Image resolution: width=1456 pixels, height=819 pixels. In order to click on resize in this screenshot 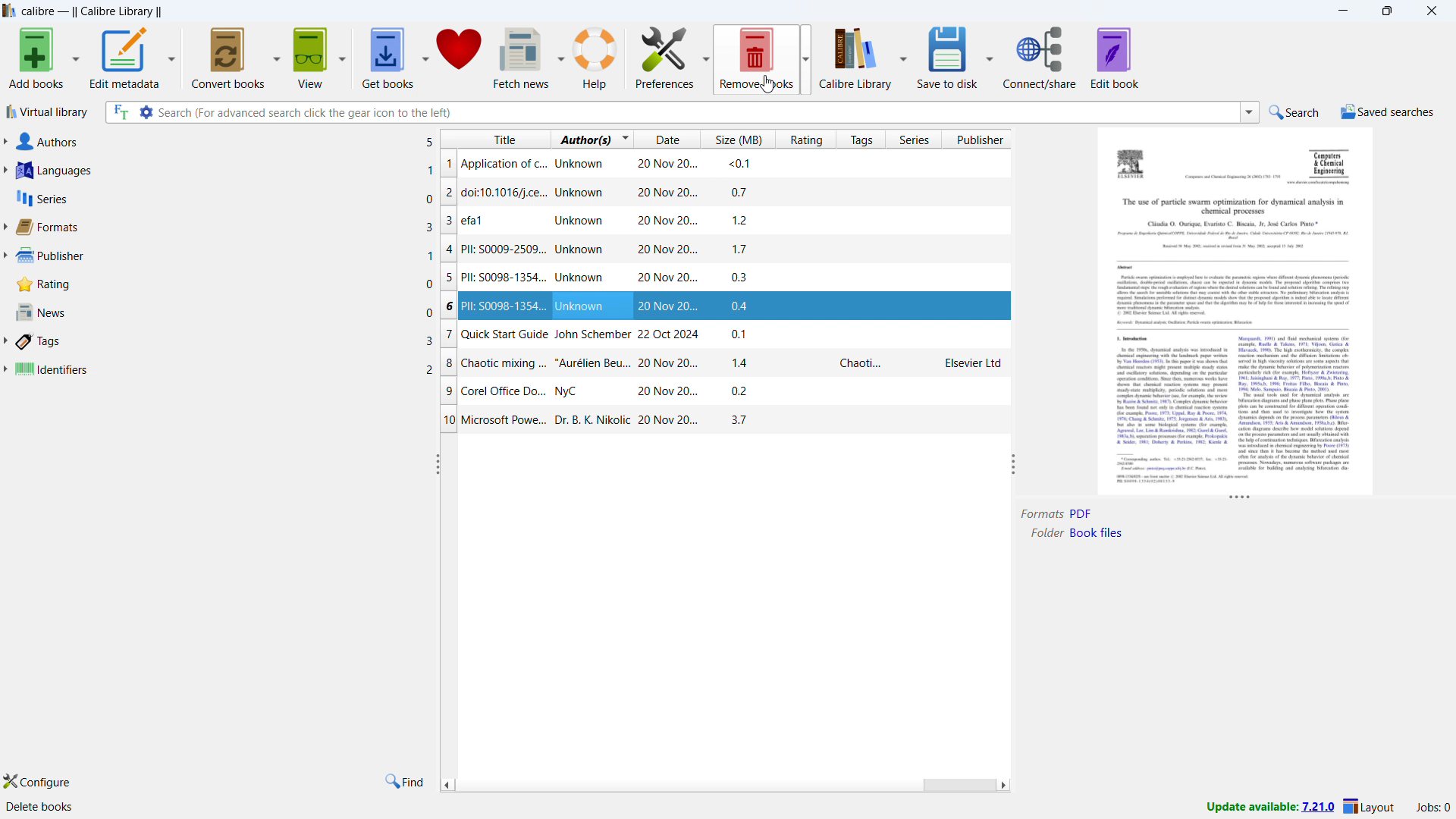, I will do `click(1239, 500)`.